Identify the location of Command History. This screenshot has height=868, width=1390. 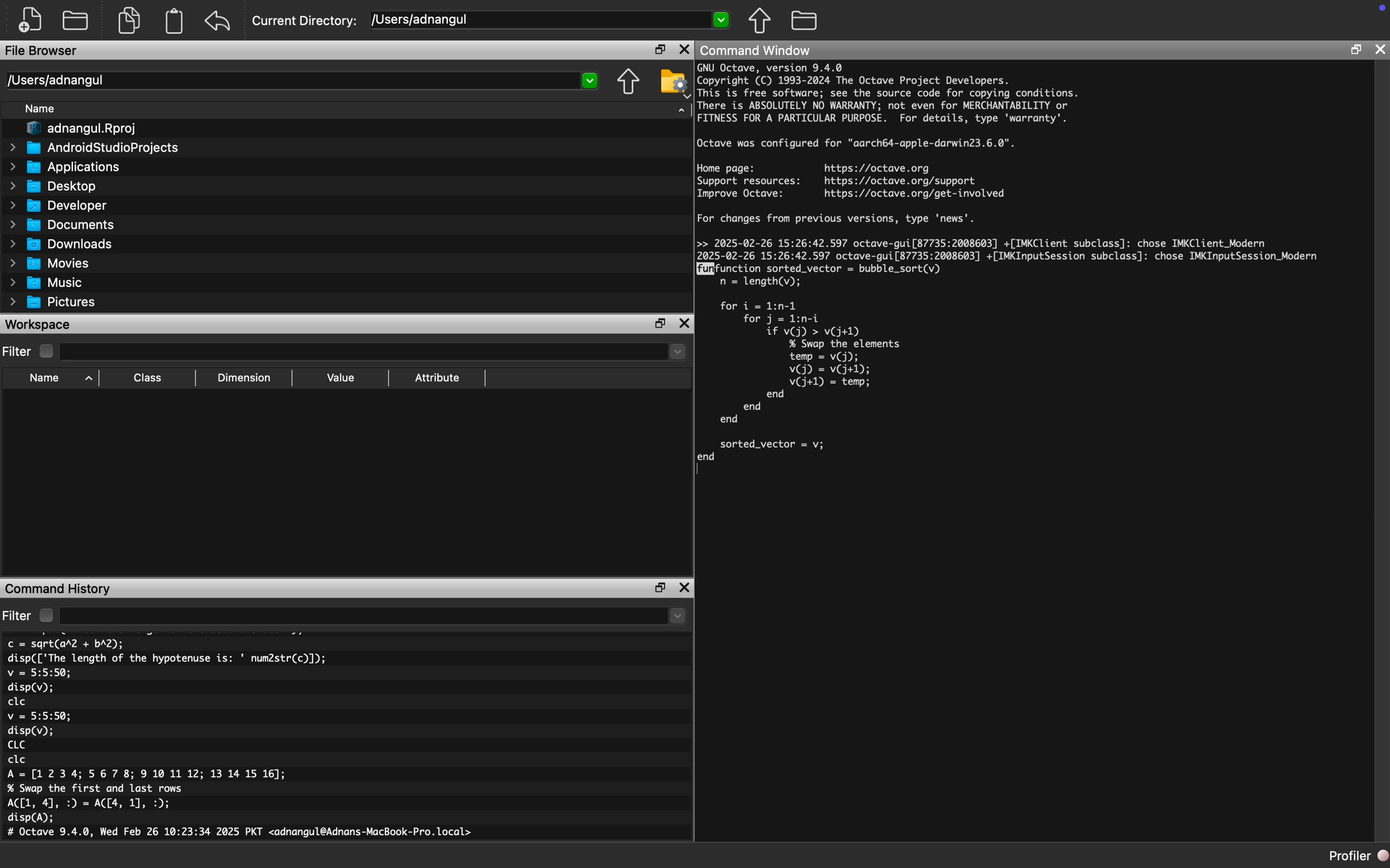
(59, 588).